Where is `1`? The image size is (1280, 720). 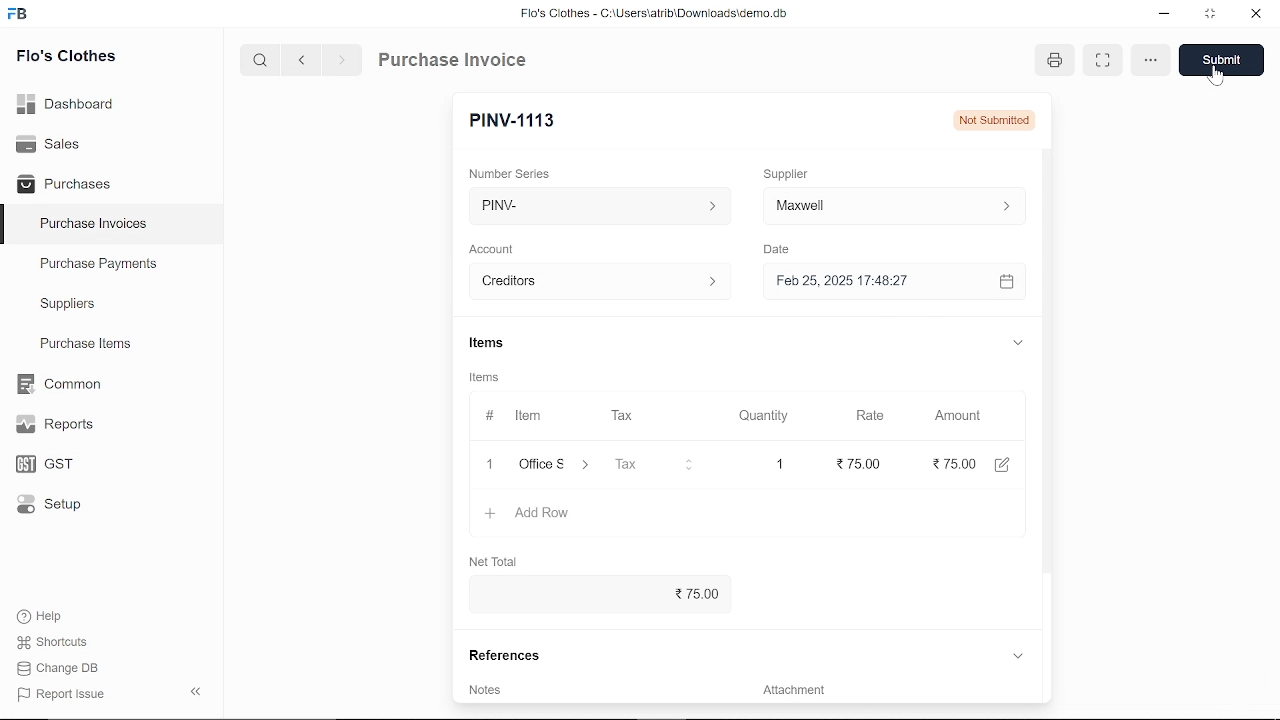
1 is located at coordinates (779, 463).